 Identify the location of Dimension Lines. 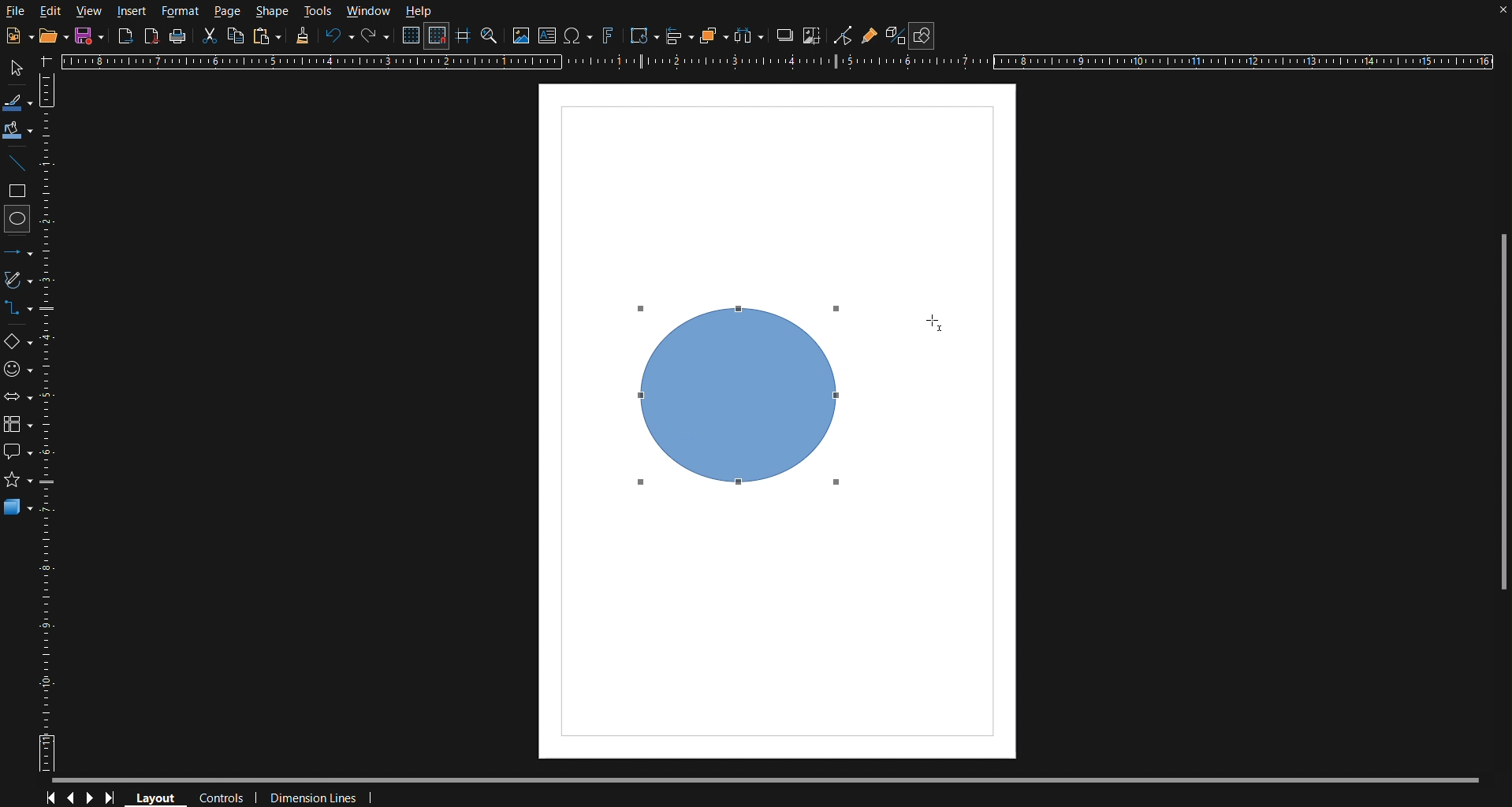
(315, 795).